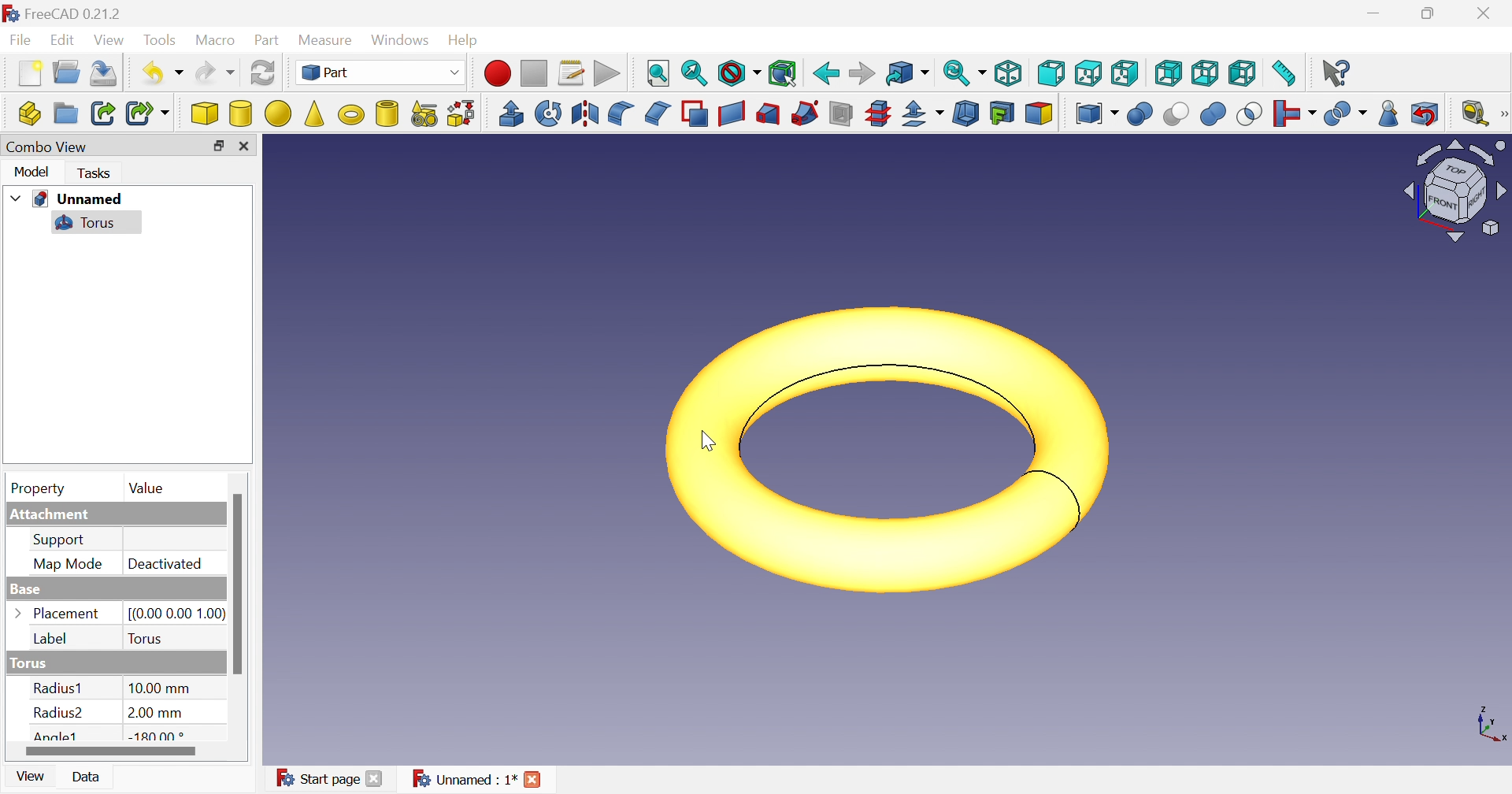 This screenshot has height=794, width=1512. Describe the element at coordinates (607, 73) in the screenshot. I see `Execute macro` at that location.